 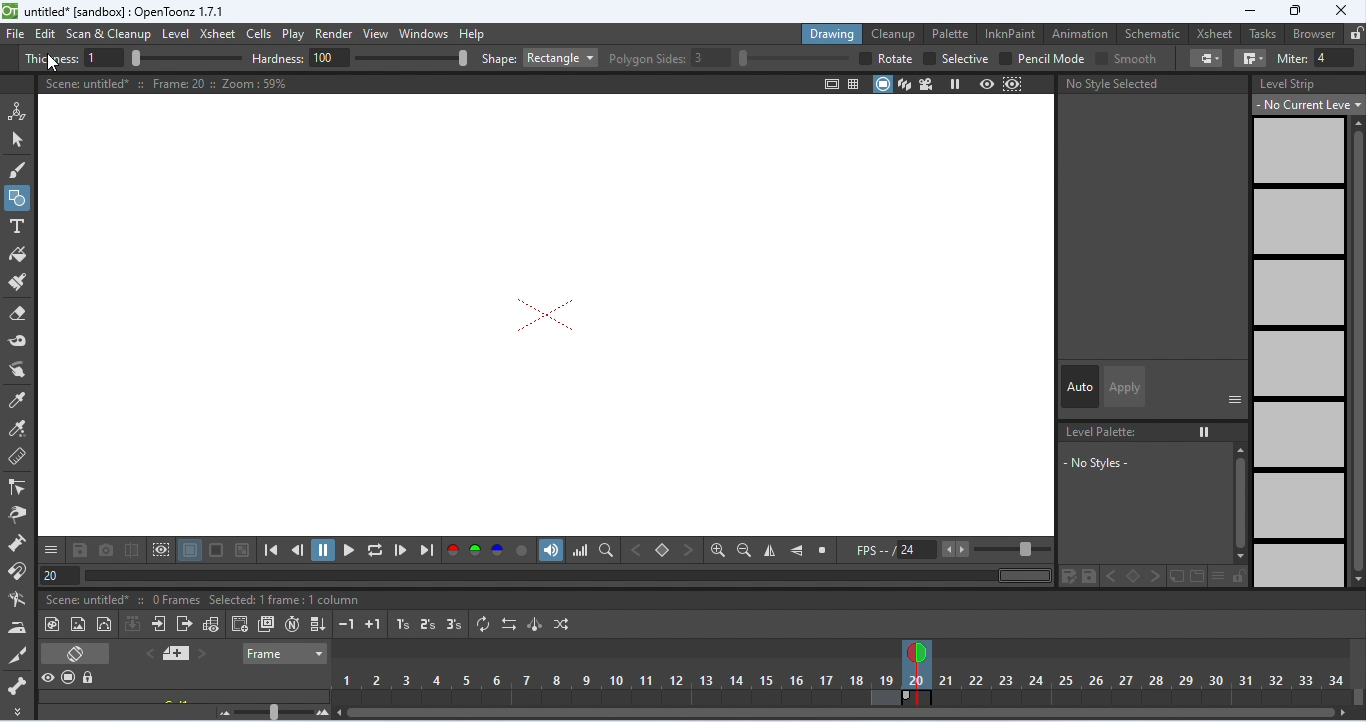 What do you see at coordinates (52, 623) in the screenshot?
I see `new toonz raster level` at bounding box center [52, 623].